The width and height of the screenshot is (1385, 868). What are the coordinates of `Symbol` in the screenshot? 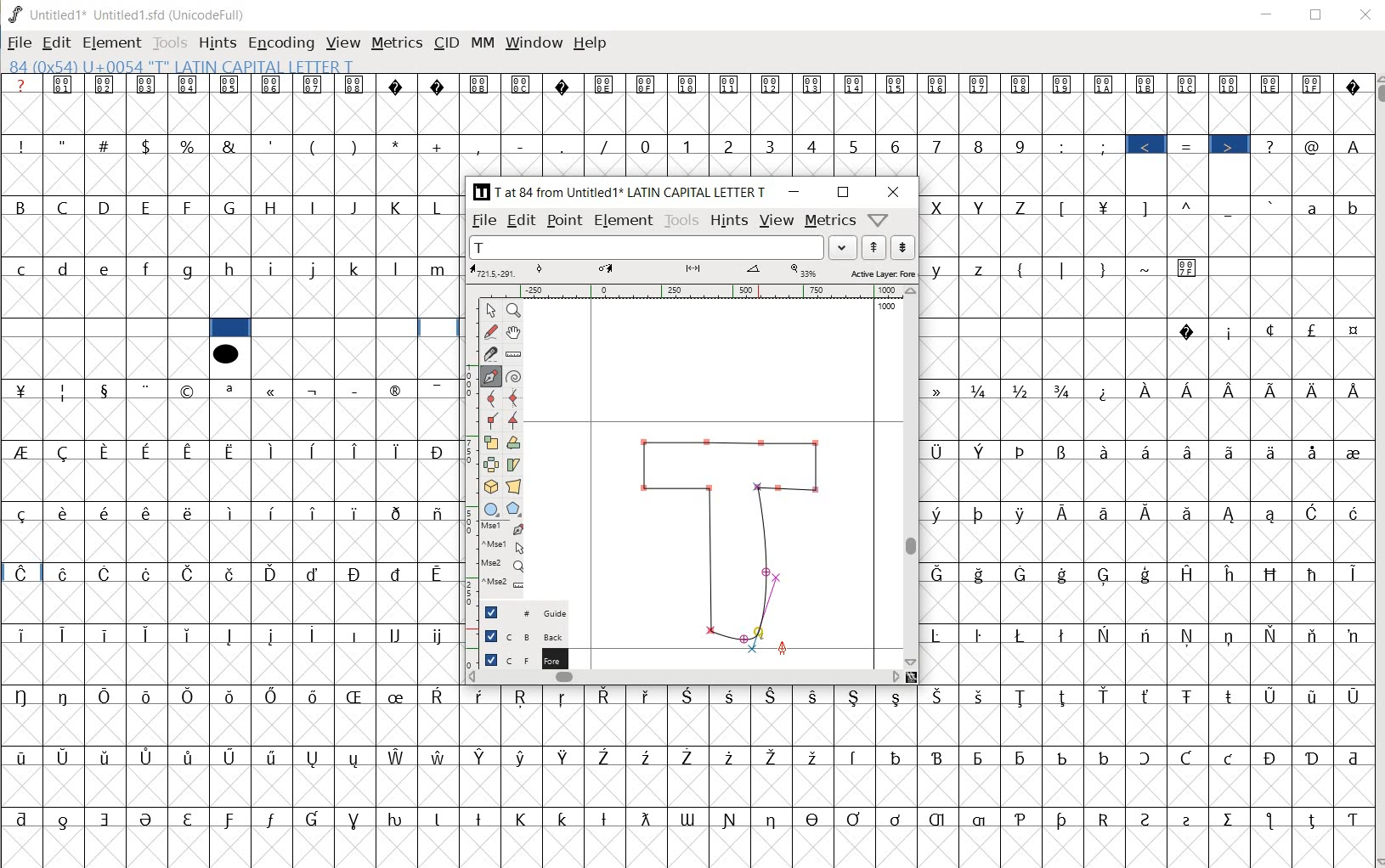 It's located at (690, 695).